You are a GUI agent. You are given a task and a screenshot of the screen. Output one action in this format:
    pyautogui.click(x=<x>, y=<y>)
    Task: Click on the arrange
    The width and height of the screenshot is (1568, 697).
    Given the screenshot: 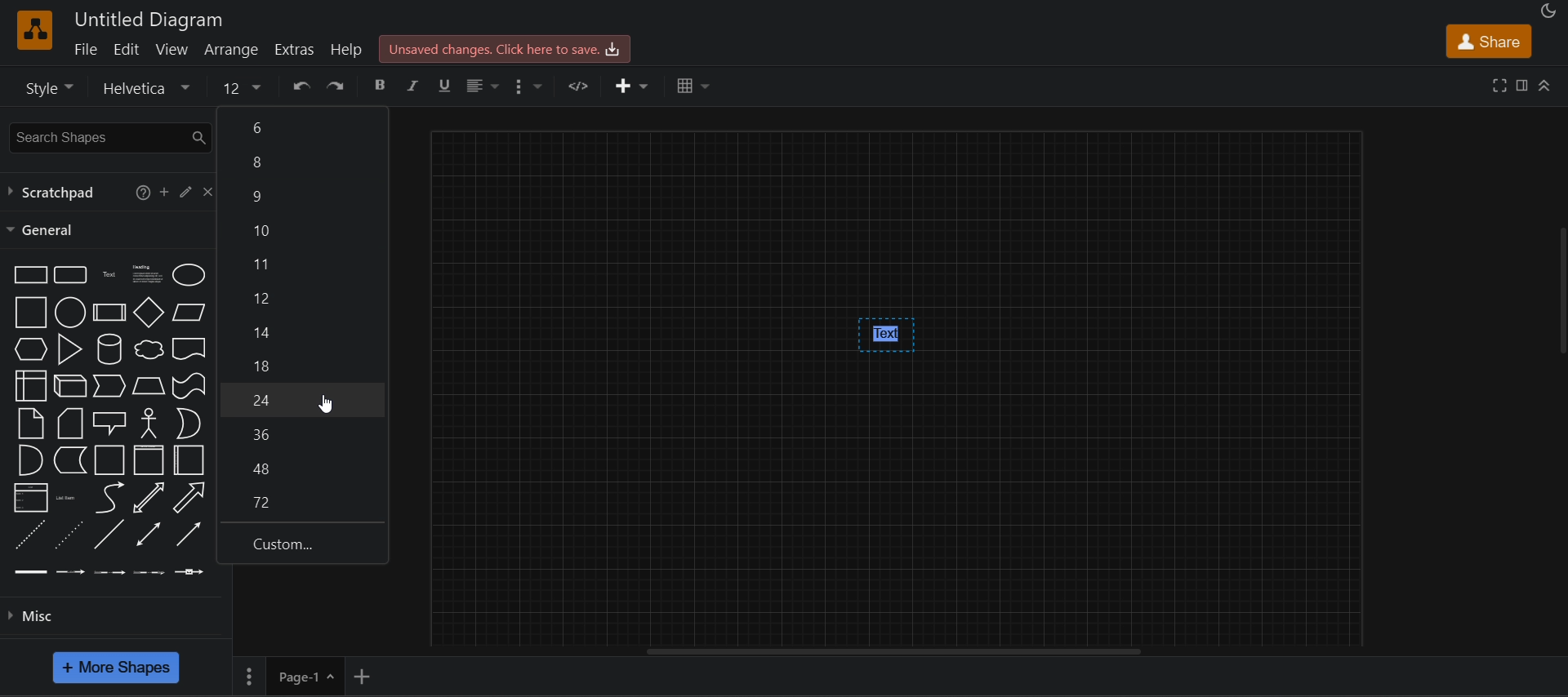 What is the action you would take?
    pyautogui.click(x=233, y=49)
    